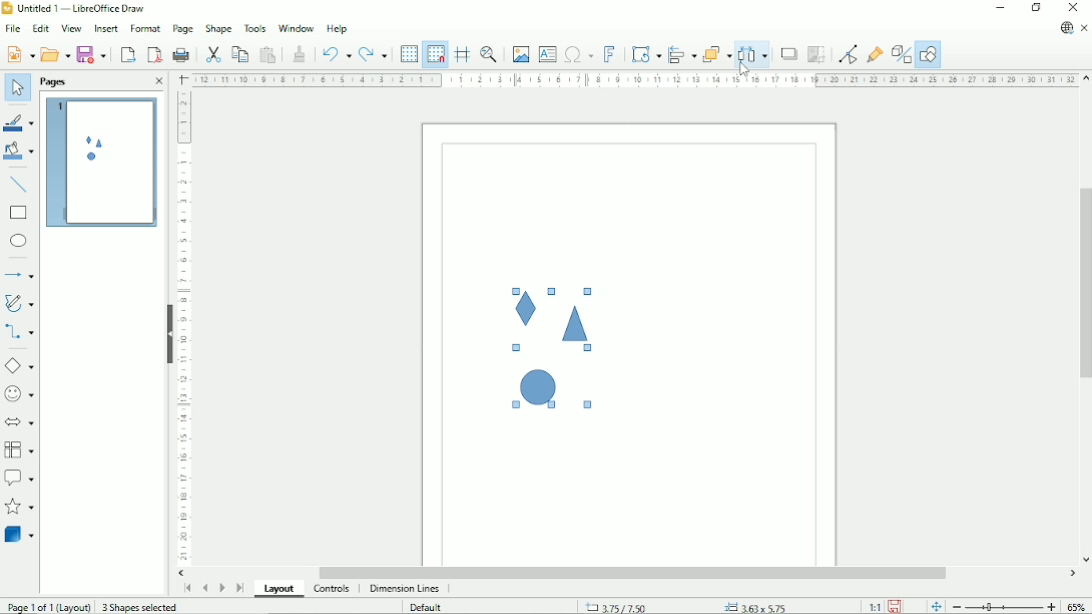 Image resolution: width=1092 pixels, height=614 pixels. I want to click on Select, so click(17, 89).